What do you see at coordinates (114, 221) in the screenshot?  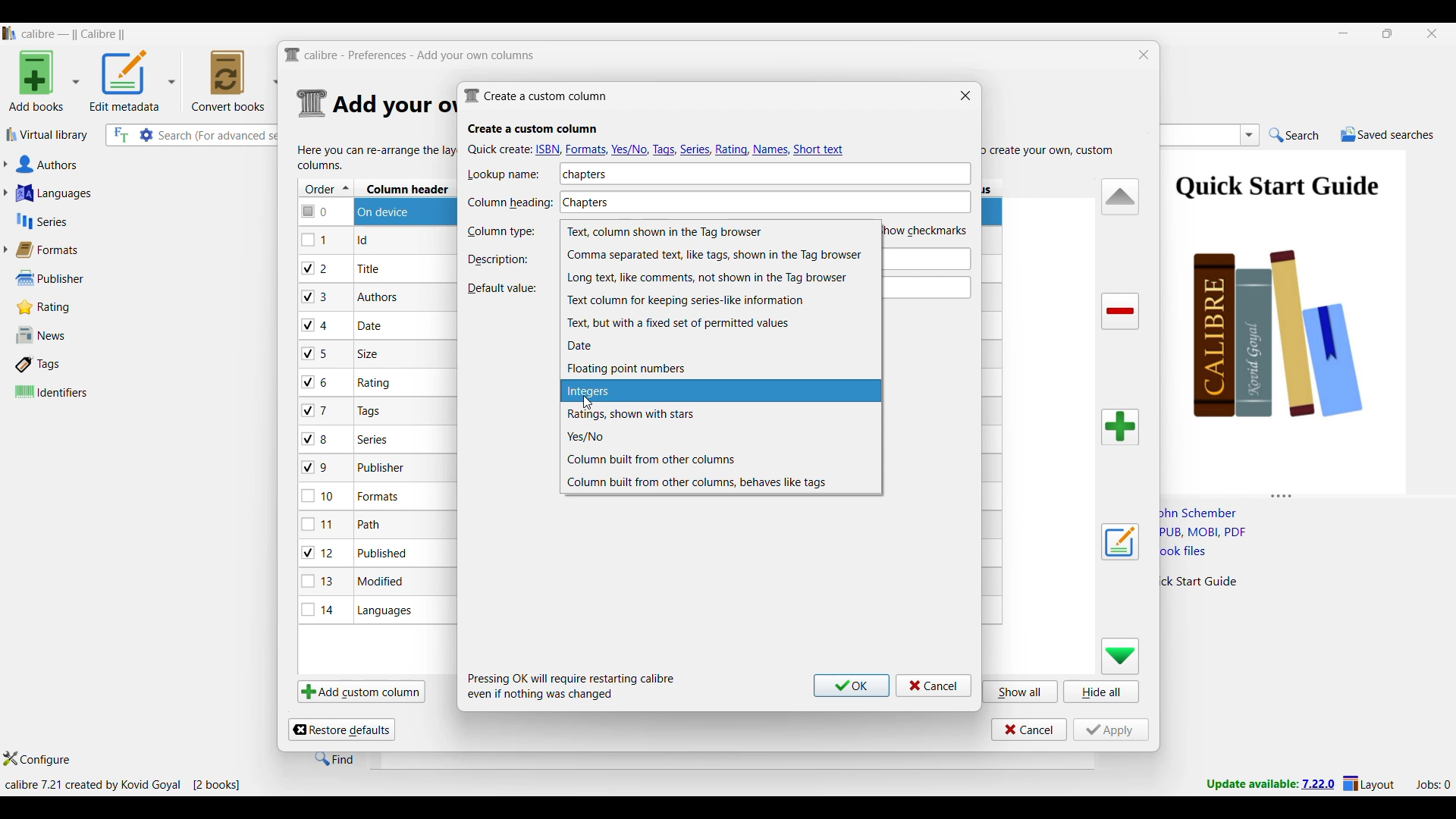 I see `Series` at bounding box center [114, 221].